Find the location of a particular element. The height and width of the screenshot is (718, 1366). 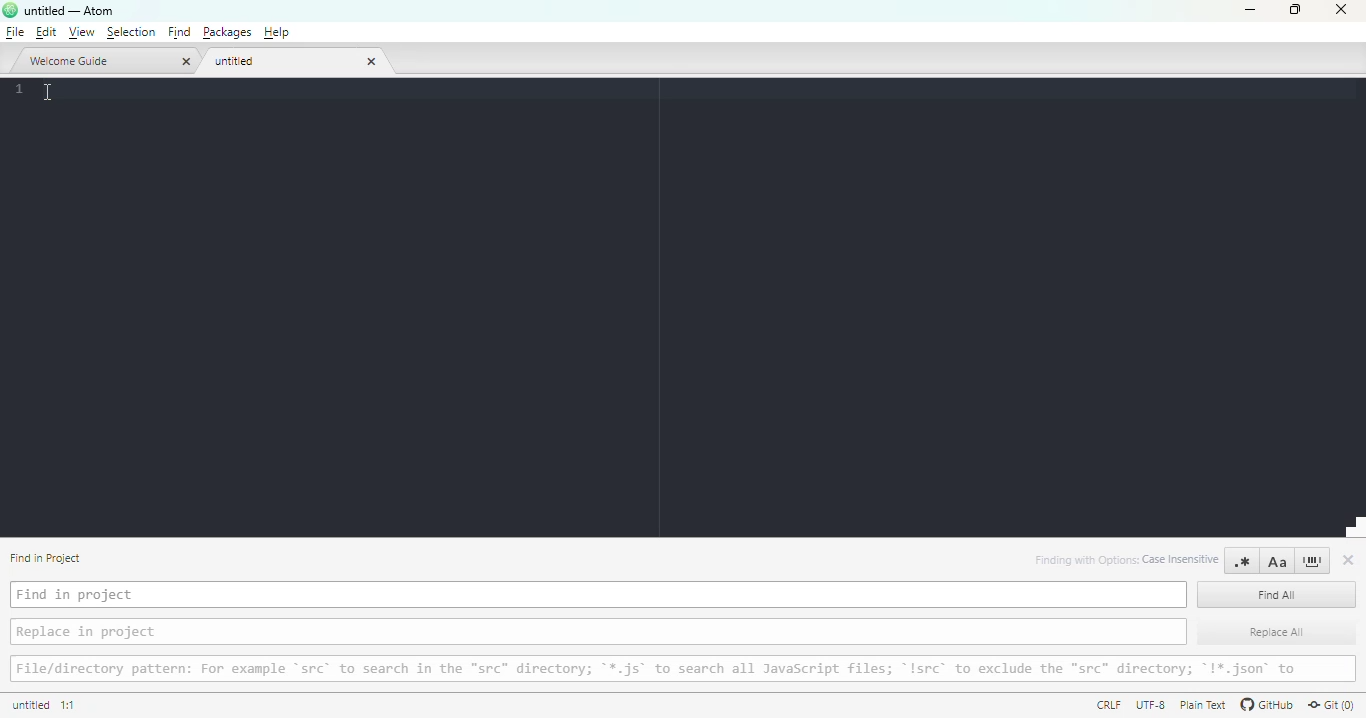

find in project is located at coordinates (598, 594).